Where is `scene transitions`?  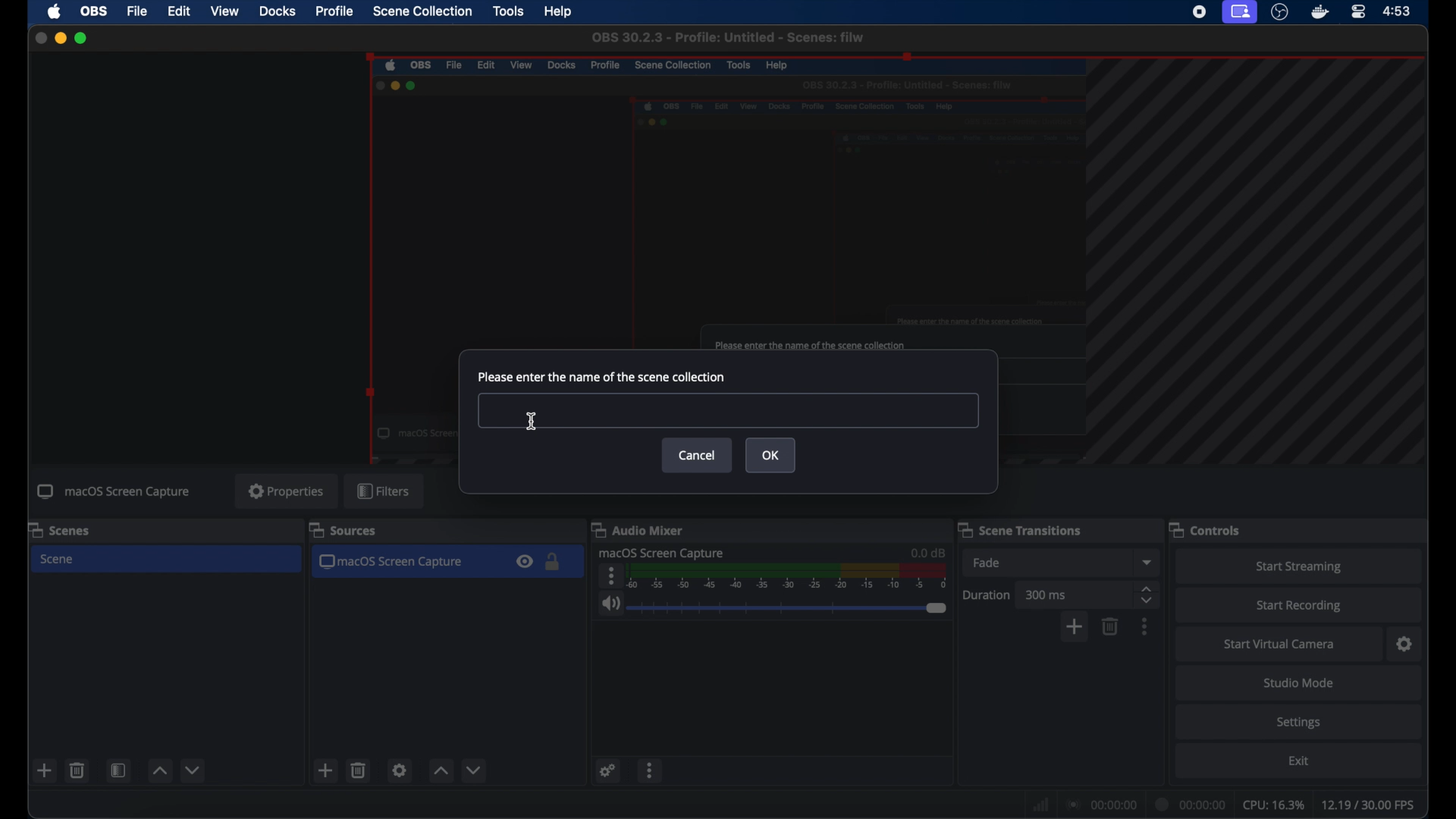 scene transitions is located at coordinates (1021, 529).